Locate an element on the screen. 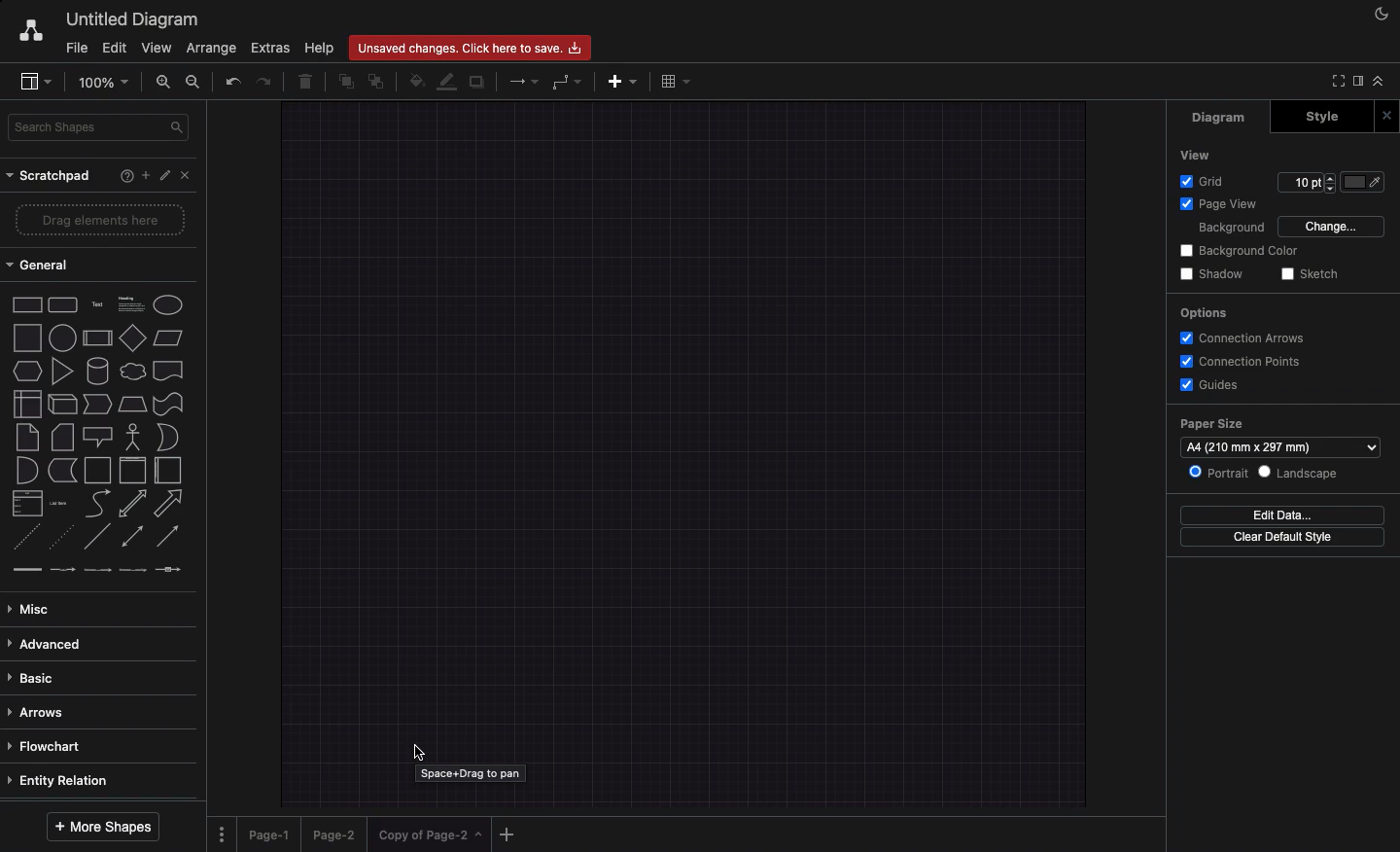  Style is located at coordinates (1316, 118).